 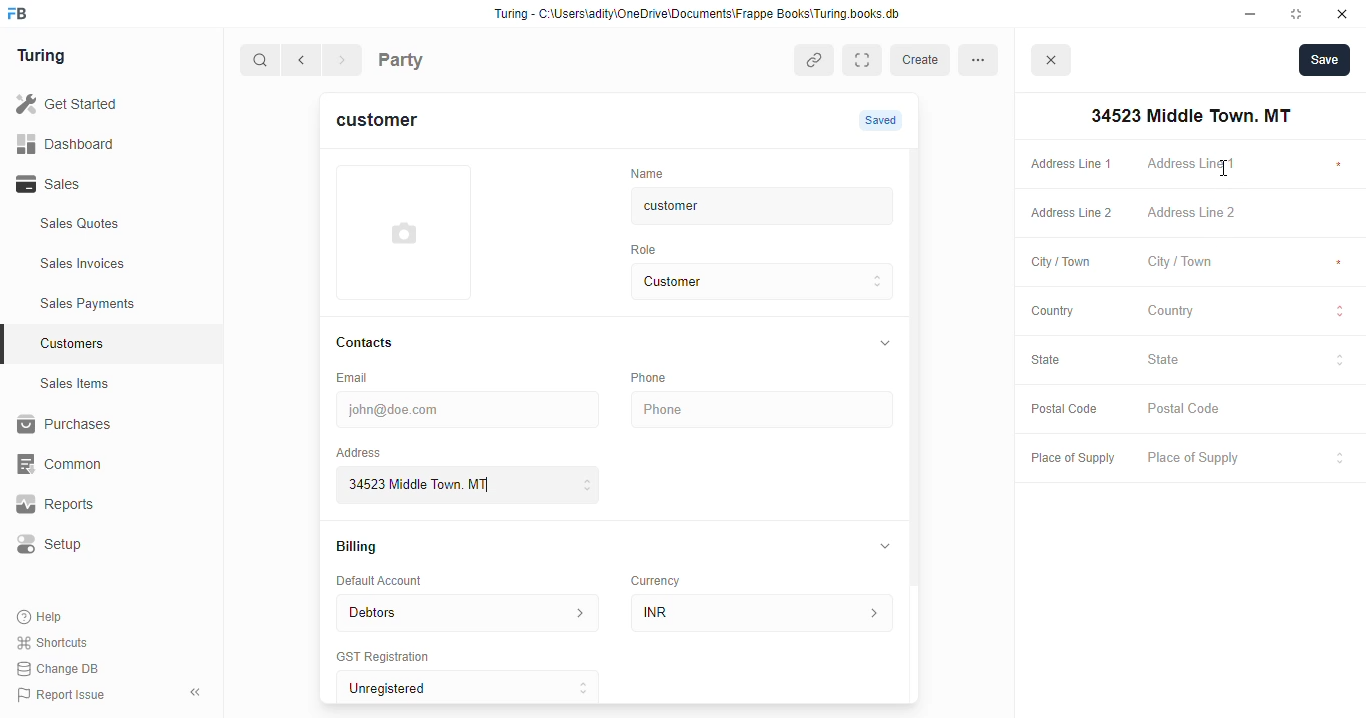 I want to click on Sales Payments, so click(x=118, y=304).